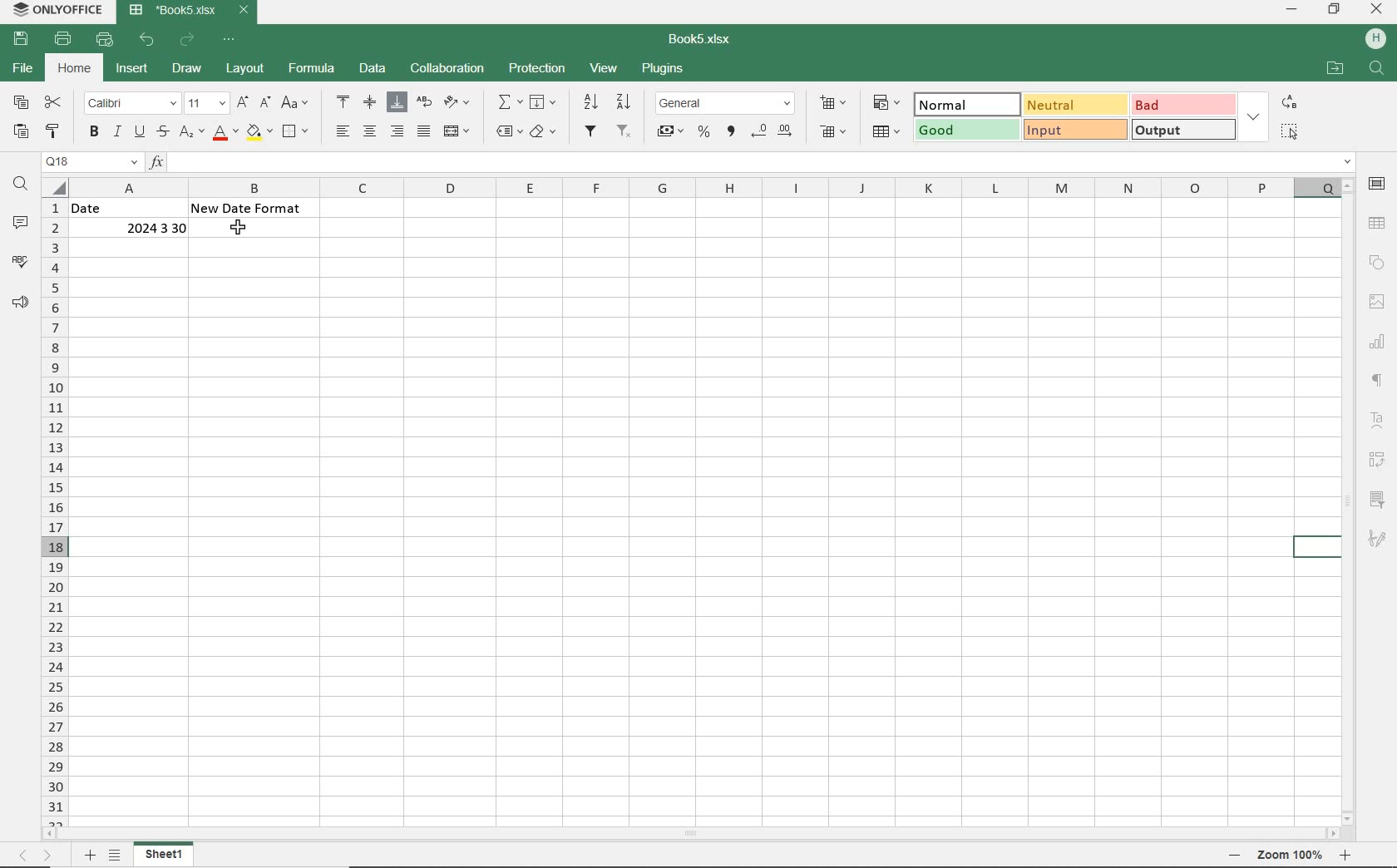 This screenshot has width=1397, height=868. I want to click on INPUT, so click(1074, 130).